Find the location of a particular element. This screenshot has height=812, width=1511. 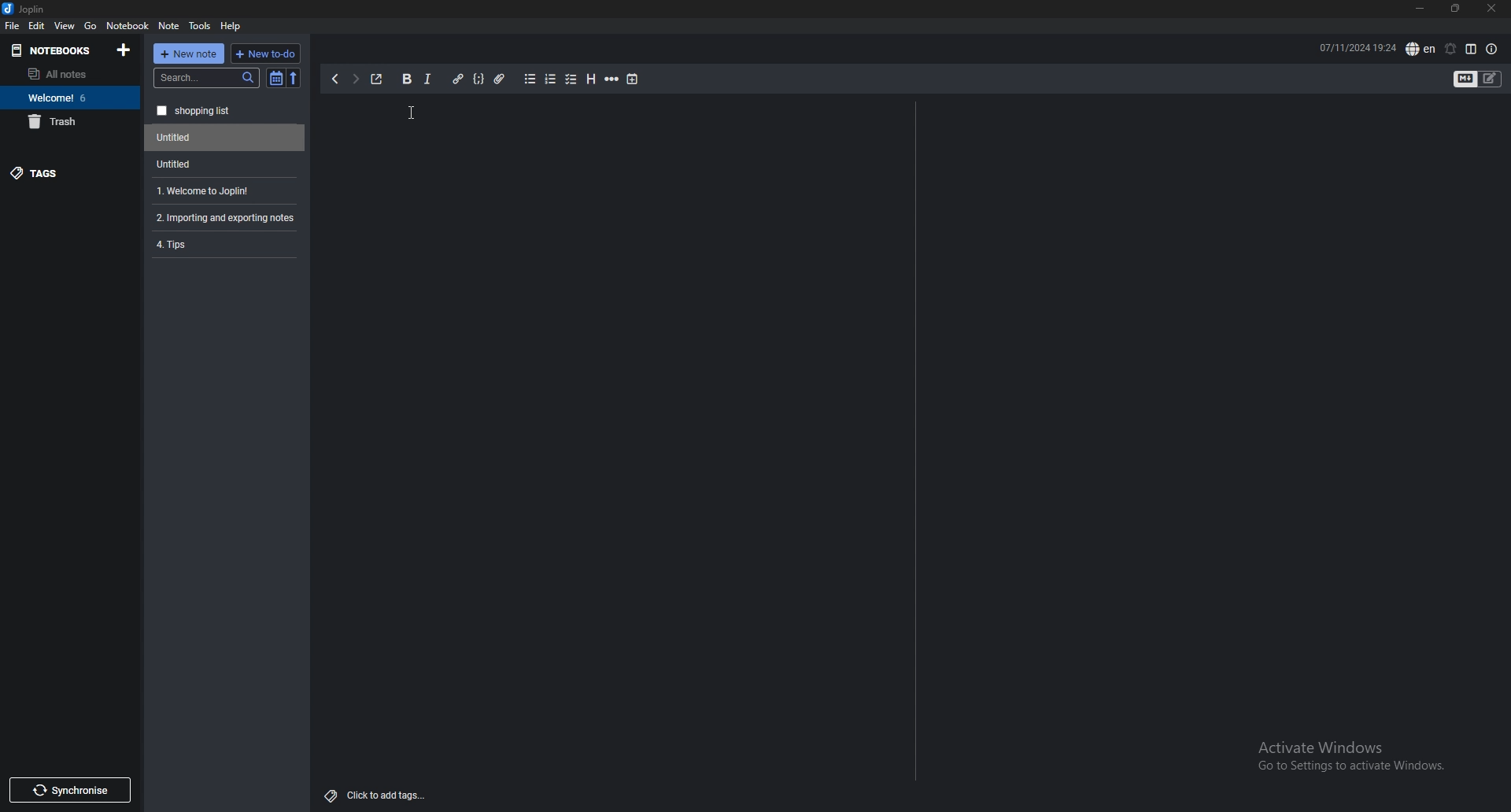

attachment is located at coordinates (500, 79).